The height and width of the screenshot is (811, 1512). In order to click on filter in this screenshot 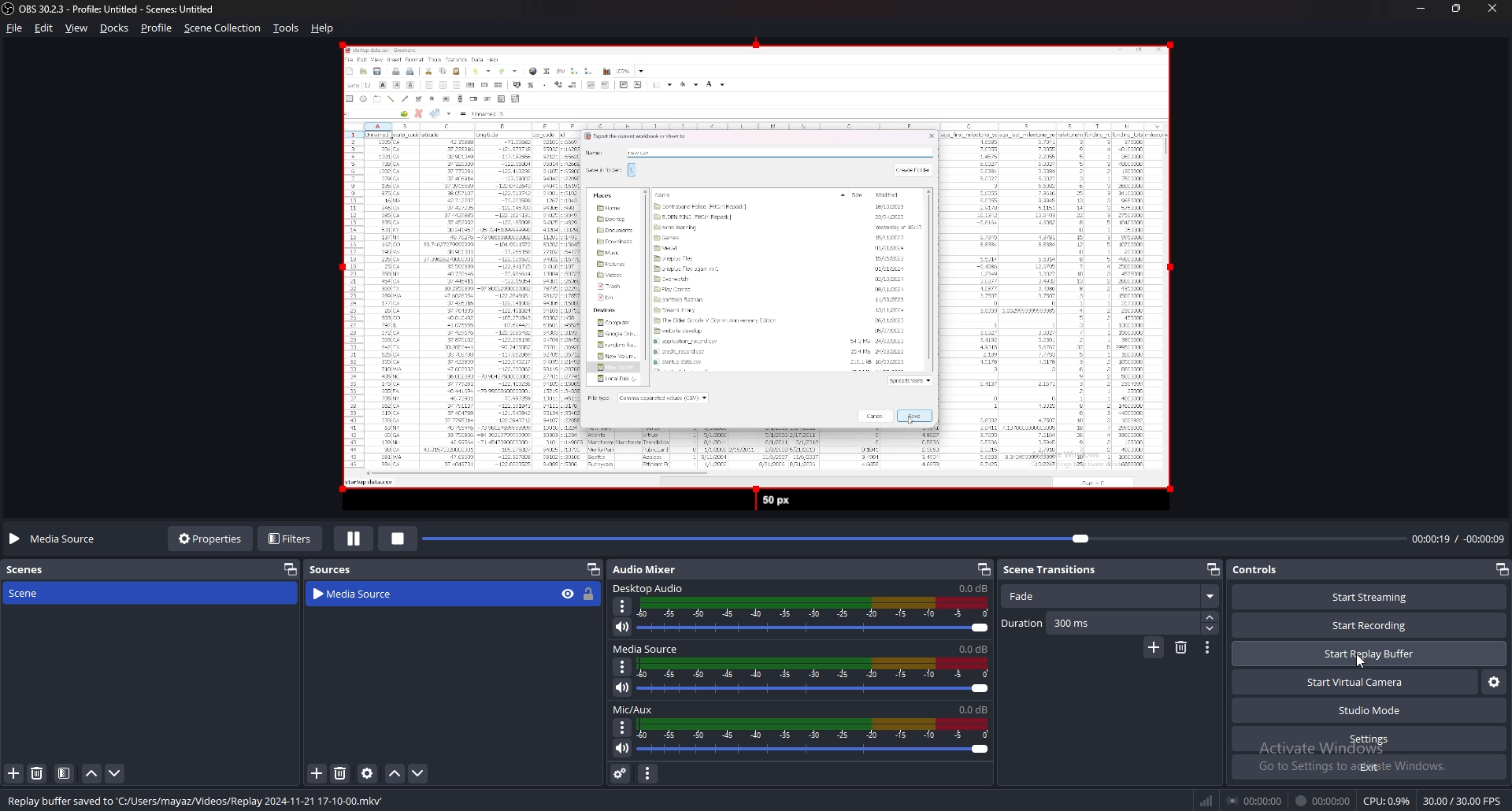, I will do `click(65, 773)`.